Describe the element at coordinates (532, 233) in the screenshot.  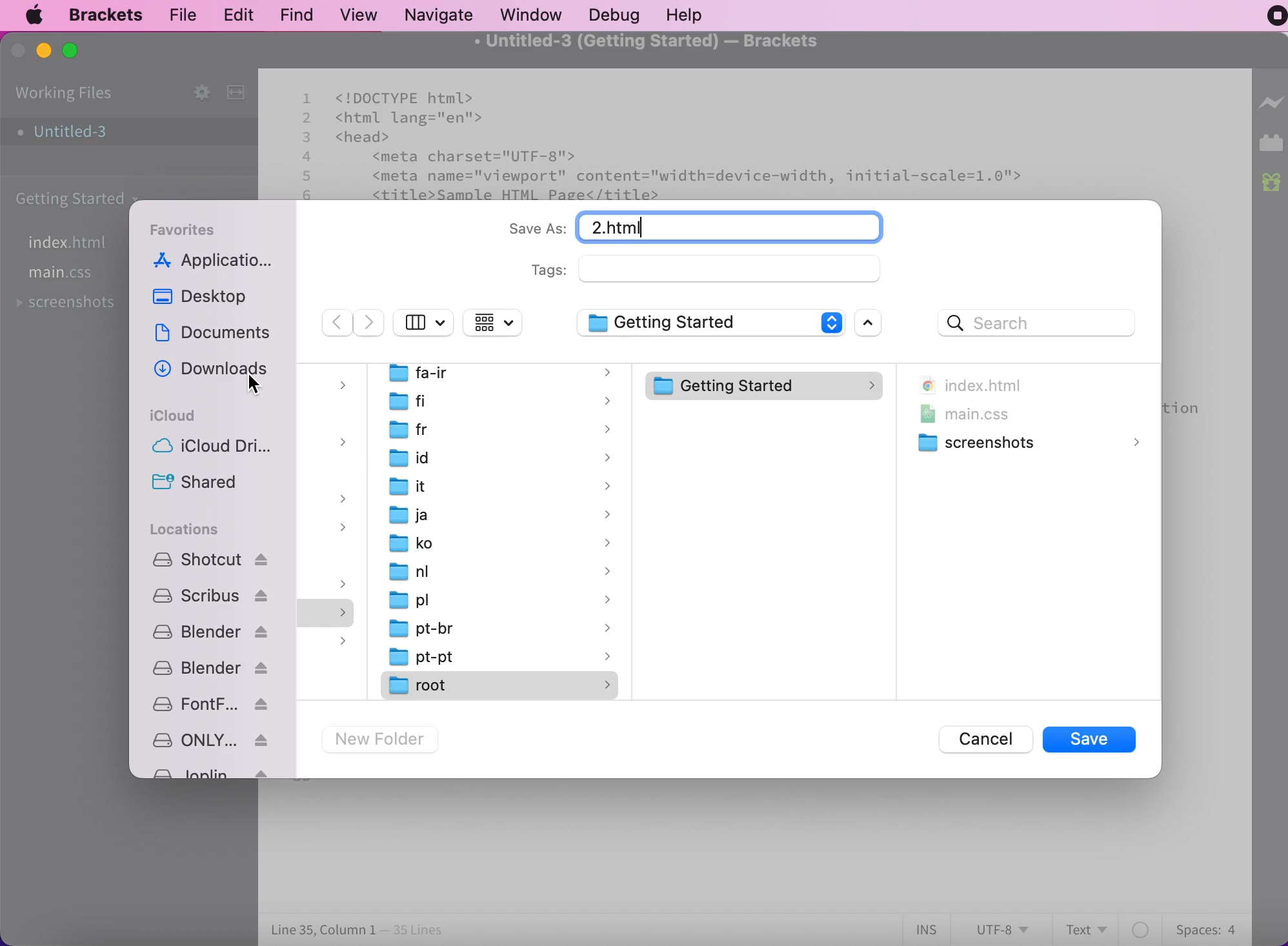
I see `save as:` at that location.